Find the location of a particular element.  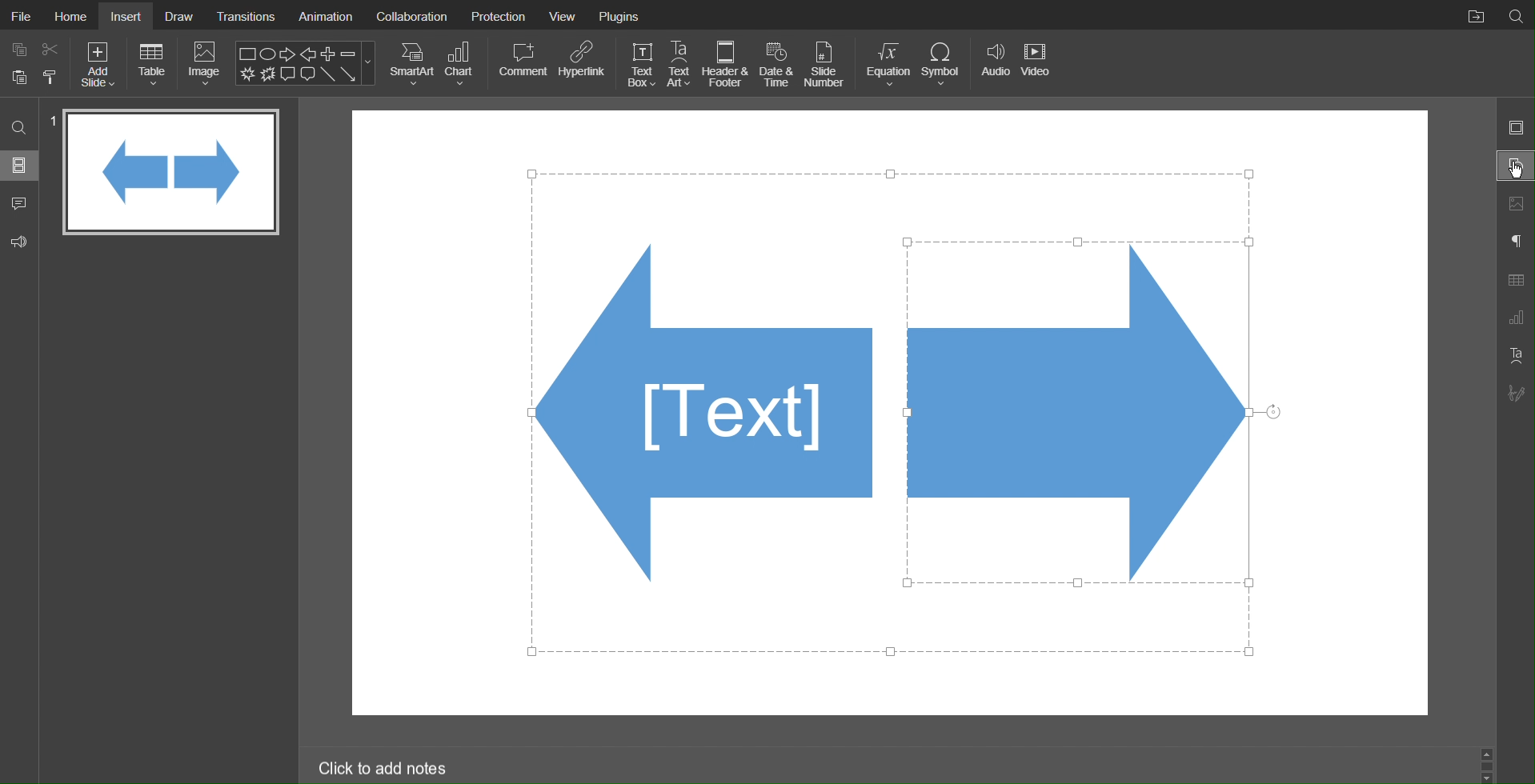

SmartArt is located at coordinates (411, 64).